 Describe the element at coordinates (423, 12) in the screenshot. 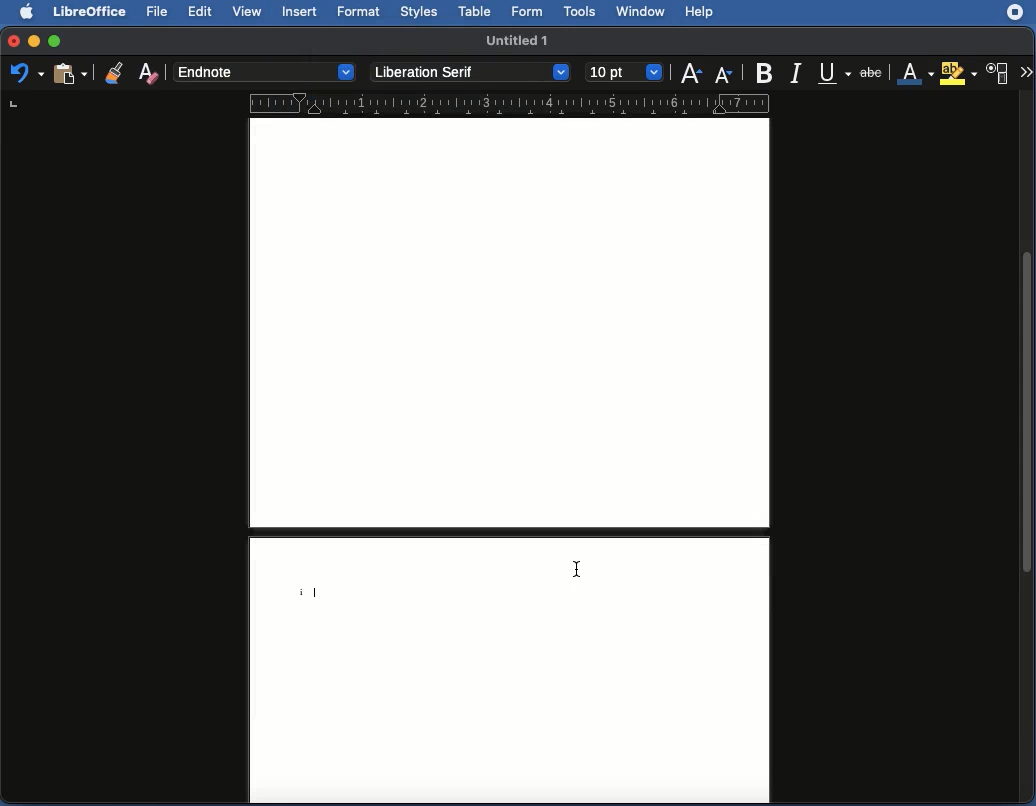

I see `Styles` at that location.